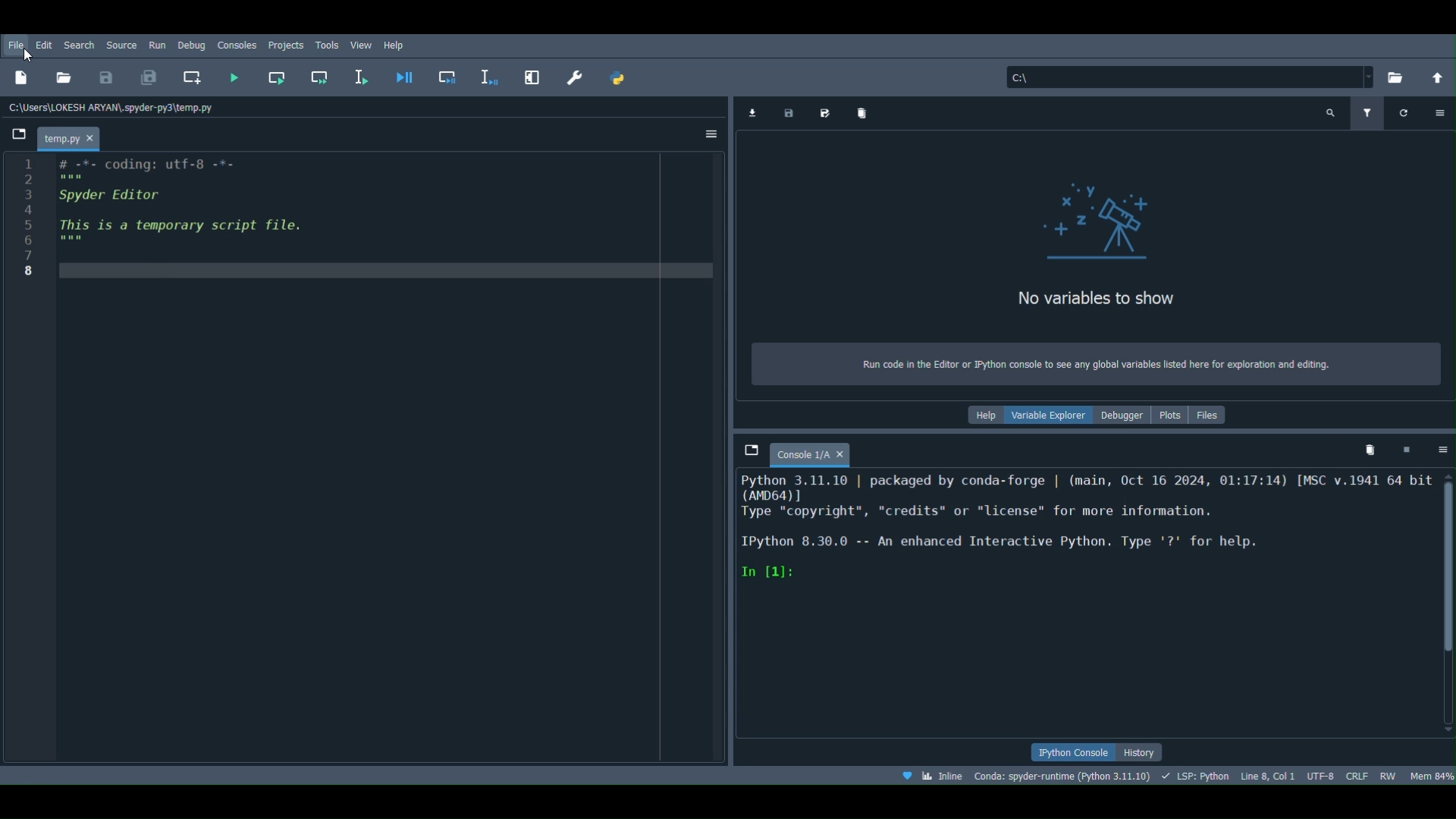  What do you see at coordinates (1064, 774) in the screenshot?
I see `Version` at bounding box center [1064, 774].